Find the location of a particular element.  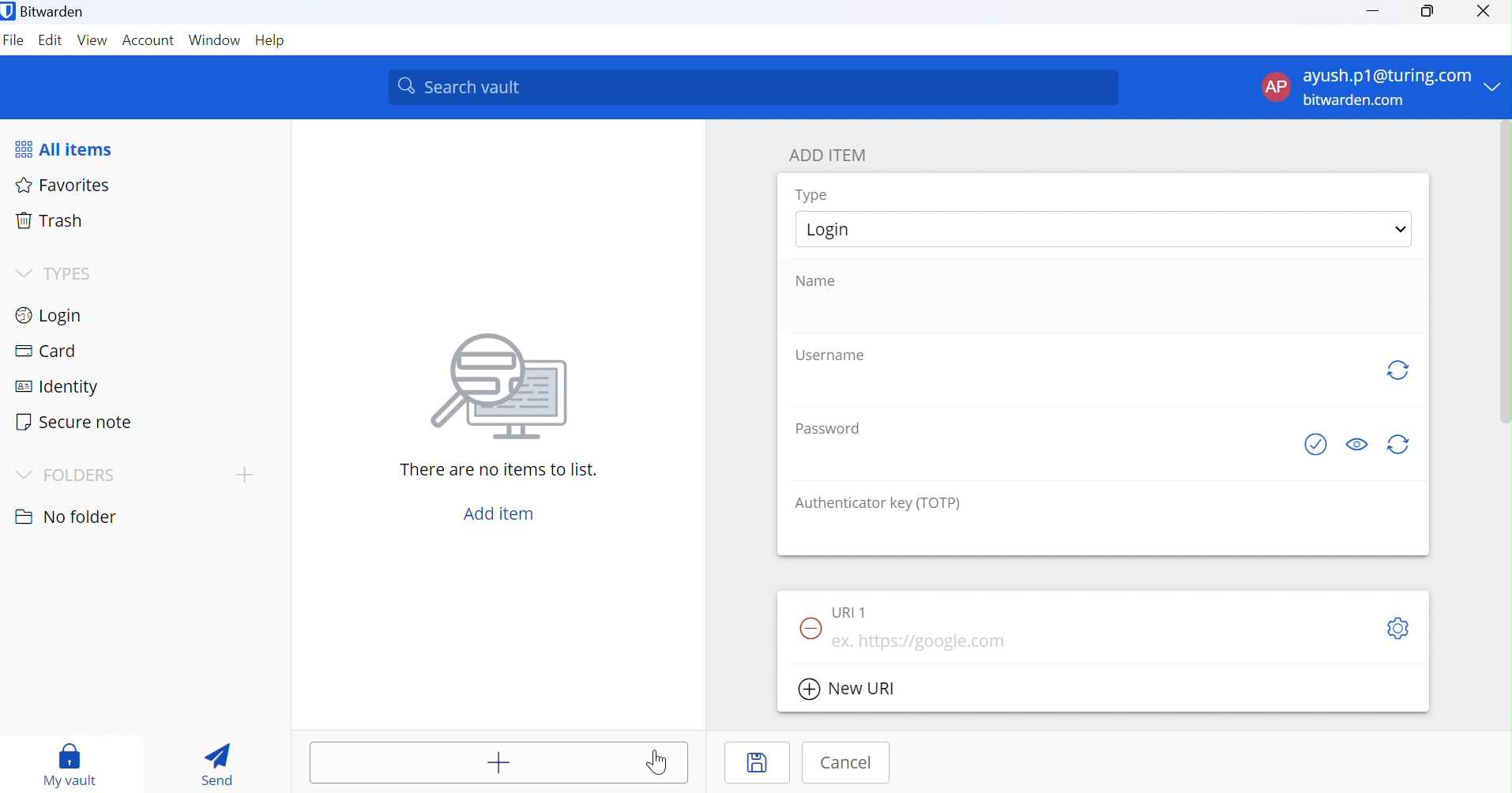

Username is located at coordinates (829, 355).